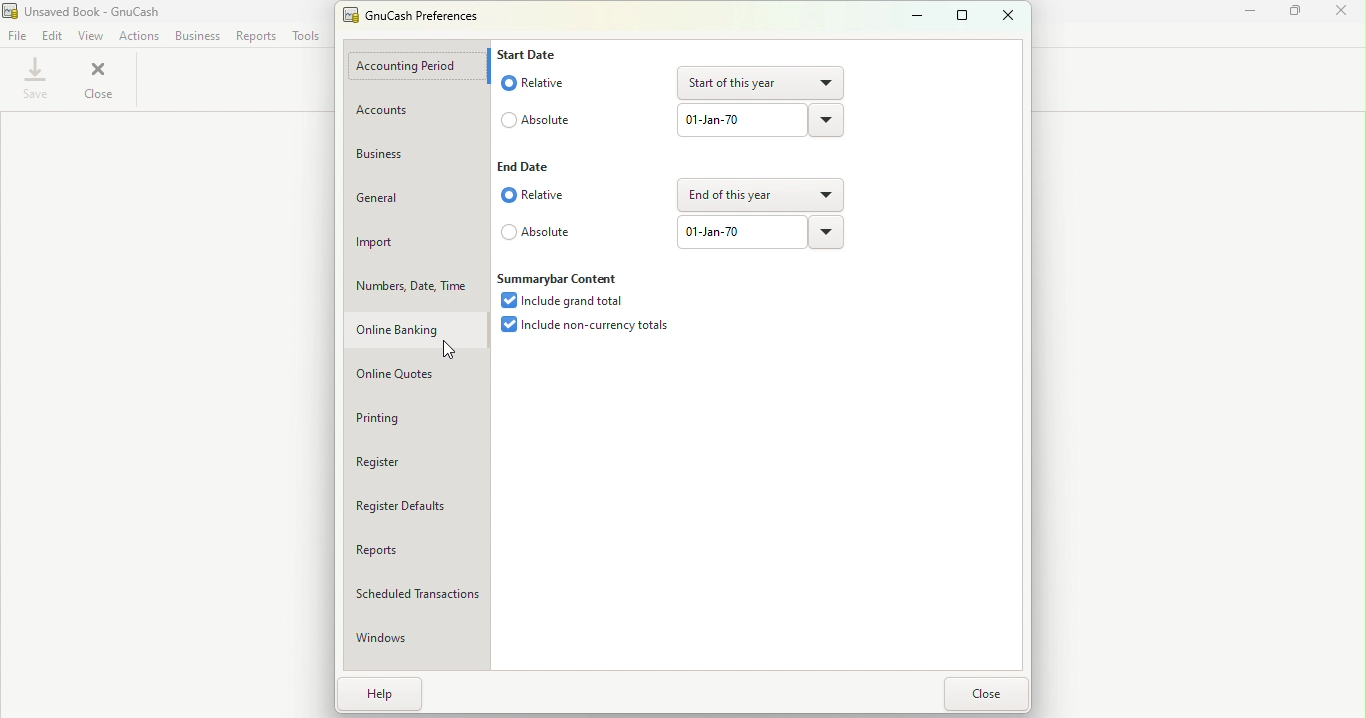 The image size is (1366, 718). Describe the element at coordinates (411, 204) in the screenshot. I see `General` at that location.